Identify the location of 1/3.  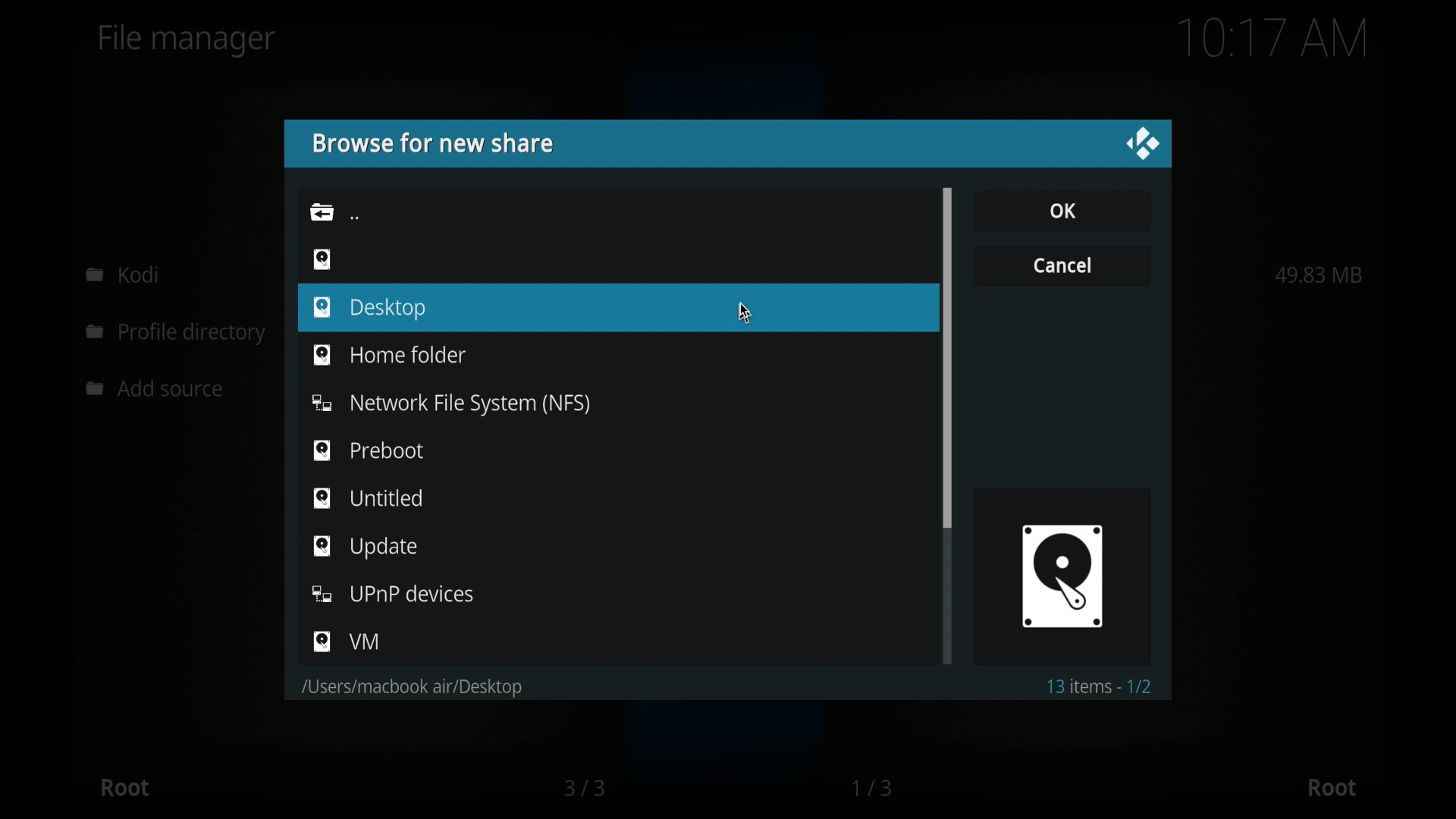
(874, 788).